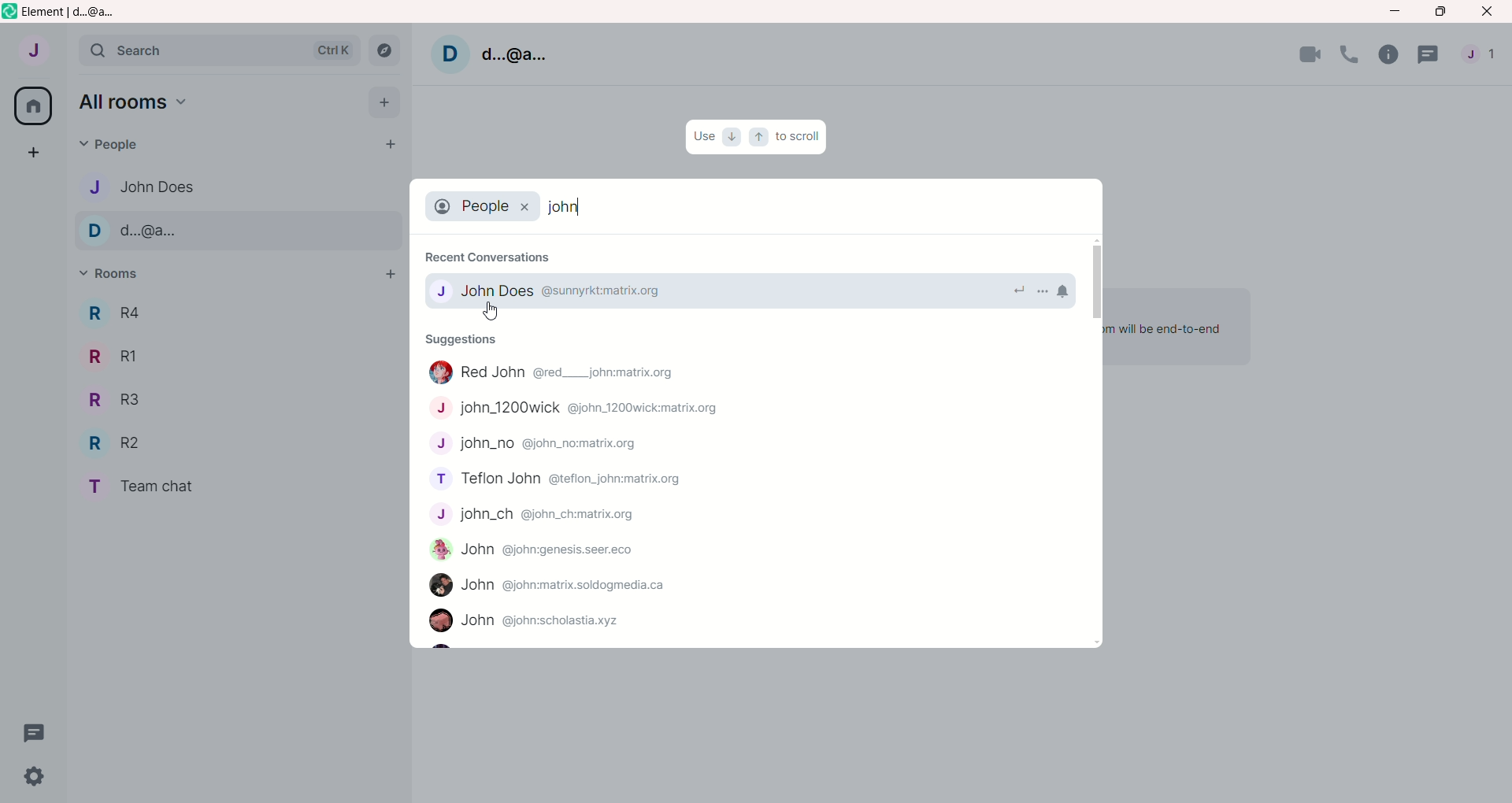 The image size is (1512, 803). I want to click on people, so click(1484, 58).